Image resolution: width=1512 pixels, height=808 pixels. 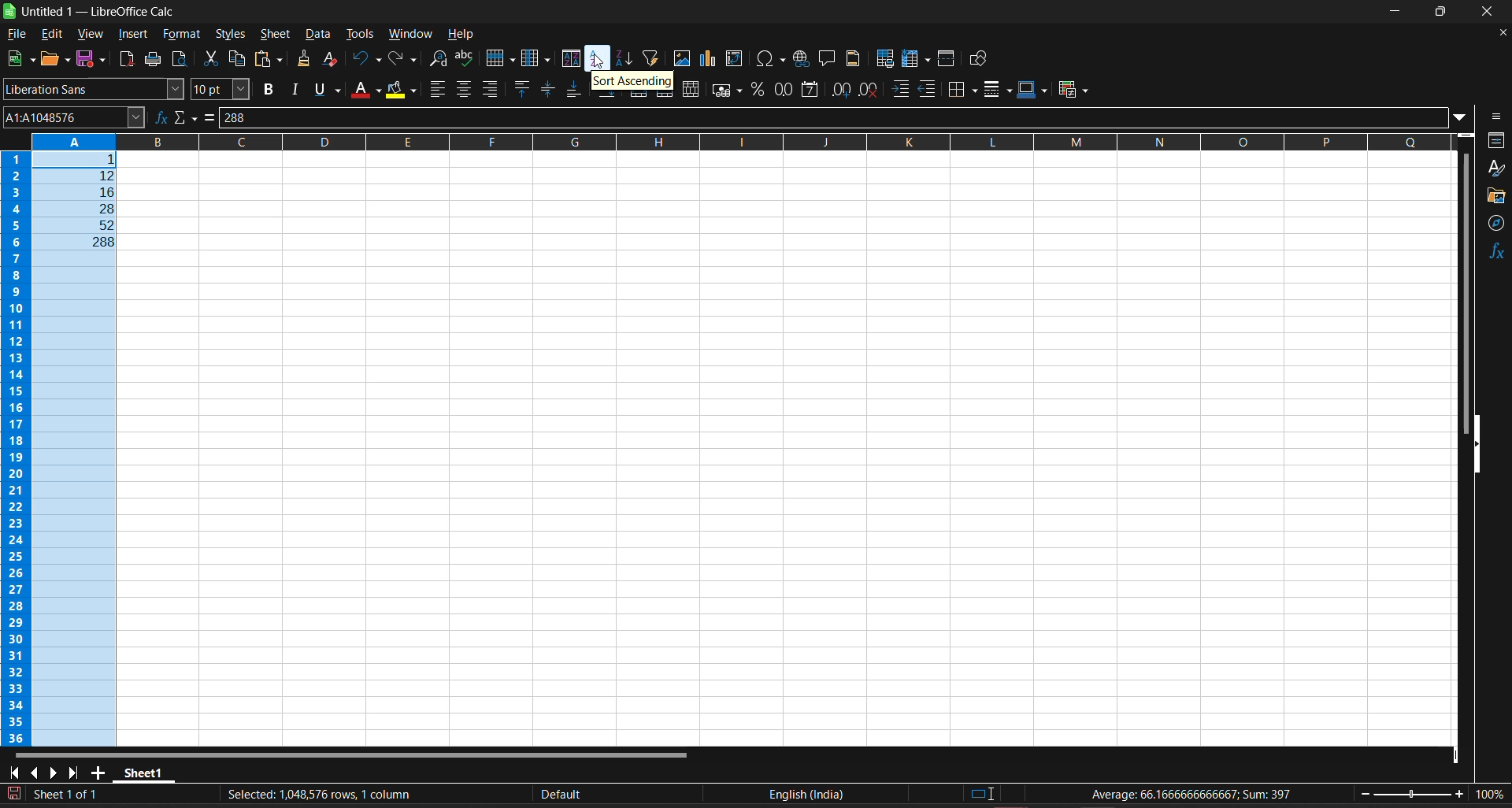 What do you see at coordinates (436, 88) in the screenshot?
I see `align left` at bounding box center [436, 88].